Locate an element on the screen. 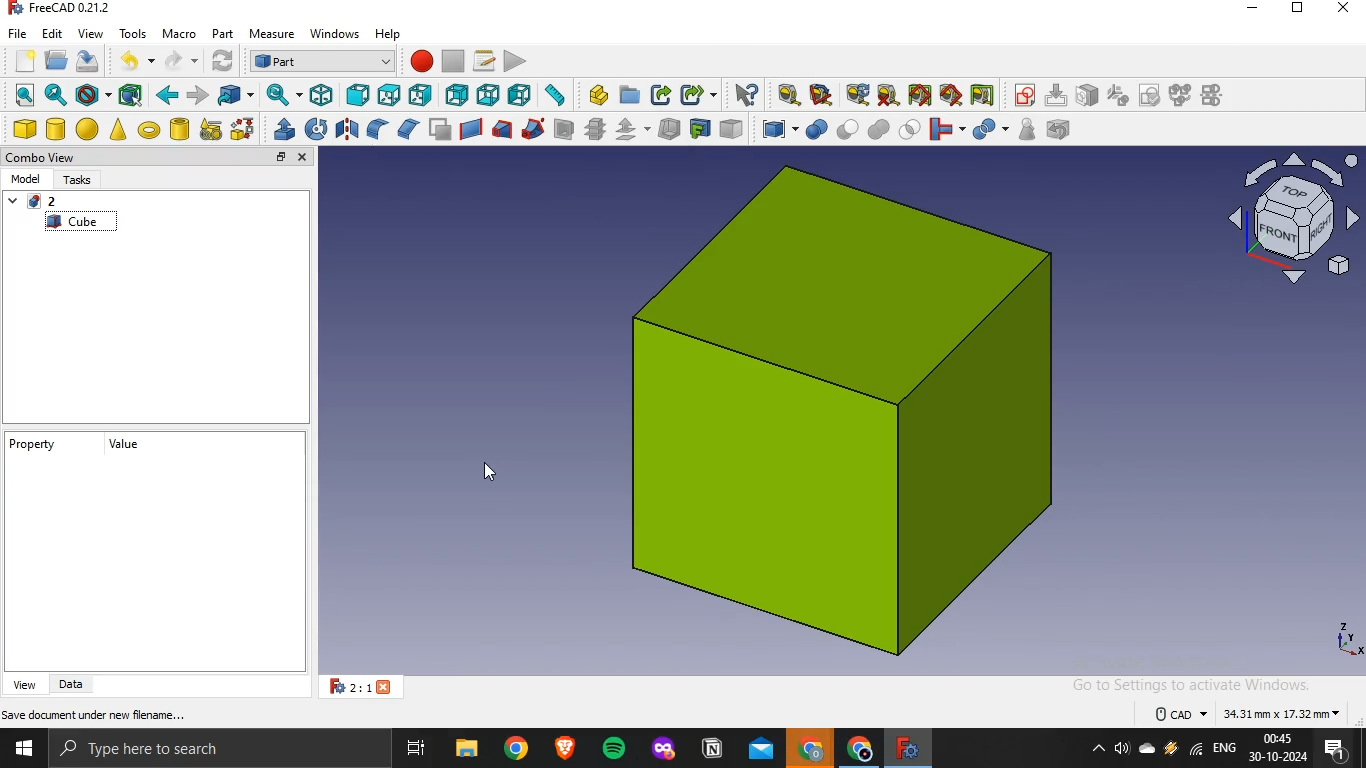  data is located at coordinates (76, 684).